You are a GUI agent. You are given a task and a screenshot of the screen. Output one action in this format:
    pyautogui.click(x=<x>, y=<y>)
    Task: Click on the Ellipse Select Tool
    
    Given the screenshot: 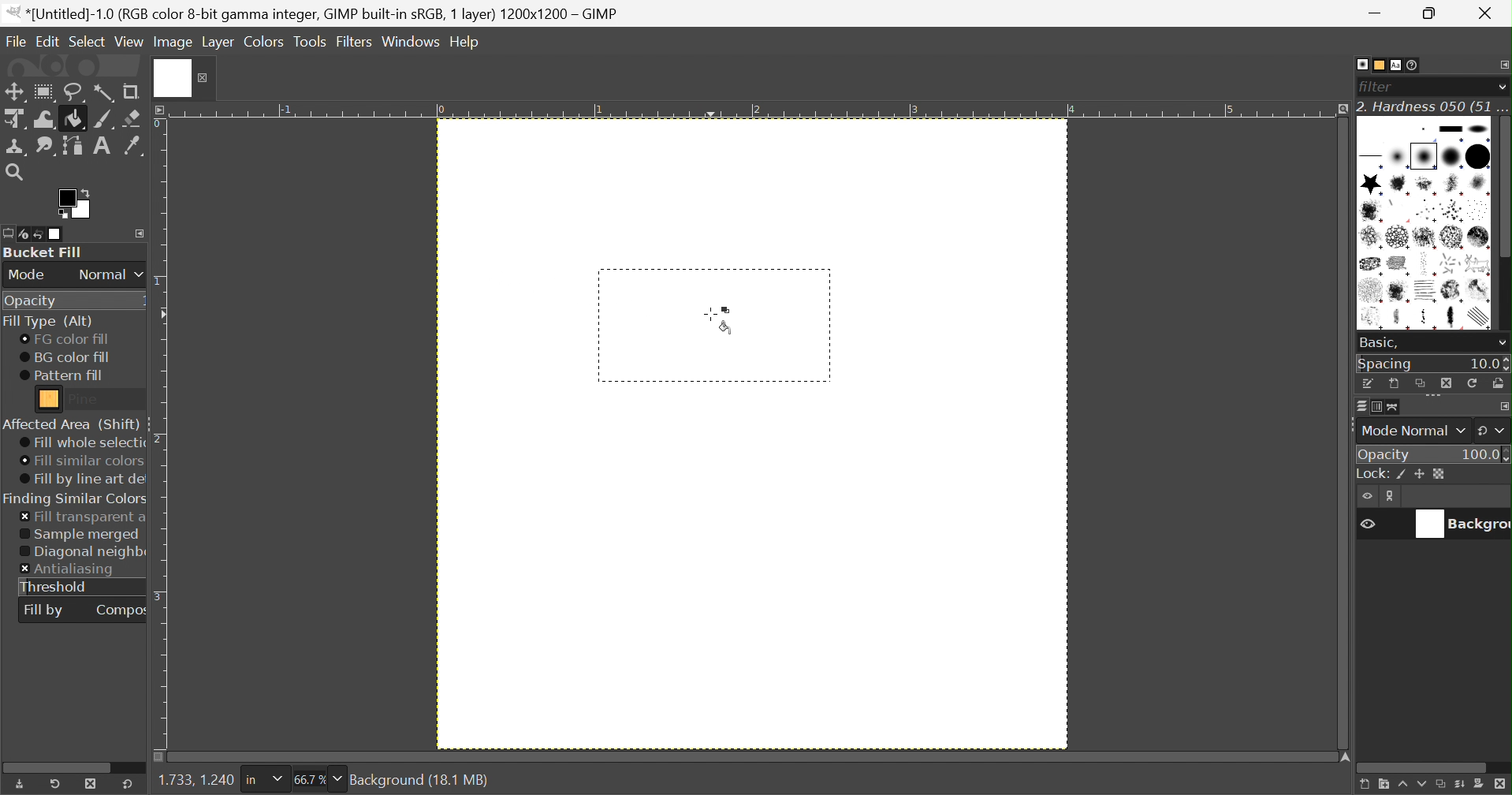 What is the action you would take?
    pyautogui.click(x=44, y=92)
    